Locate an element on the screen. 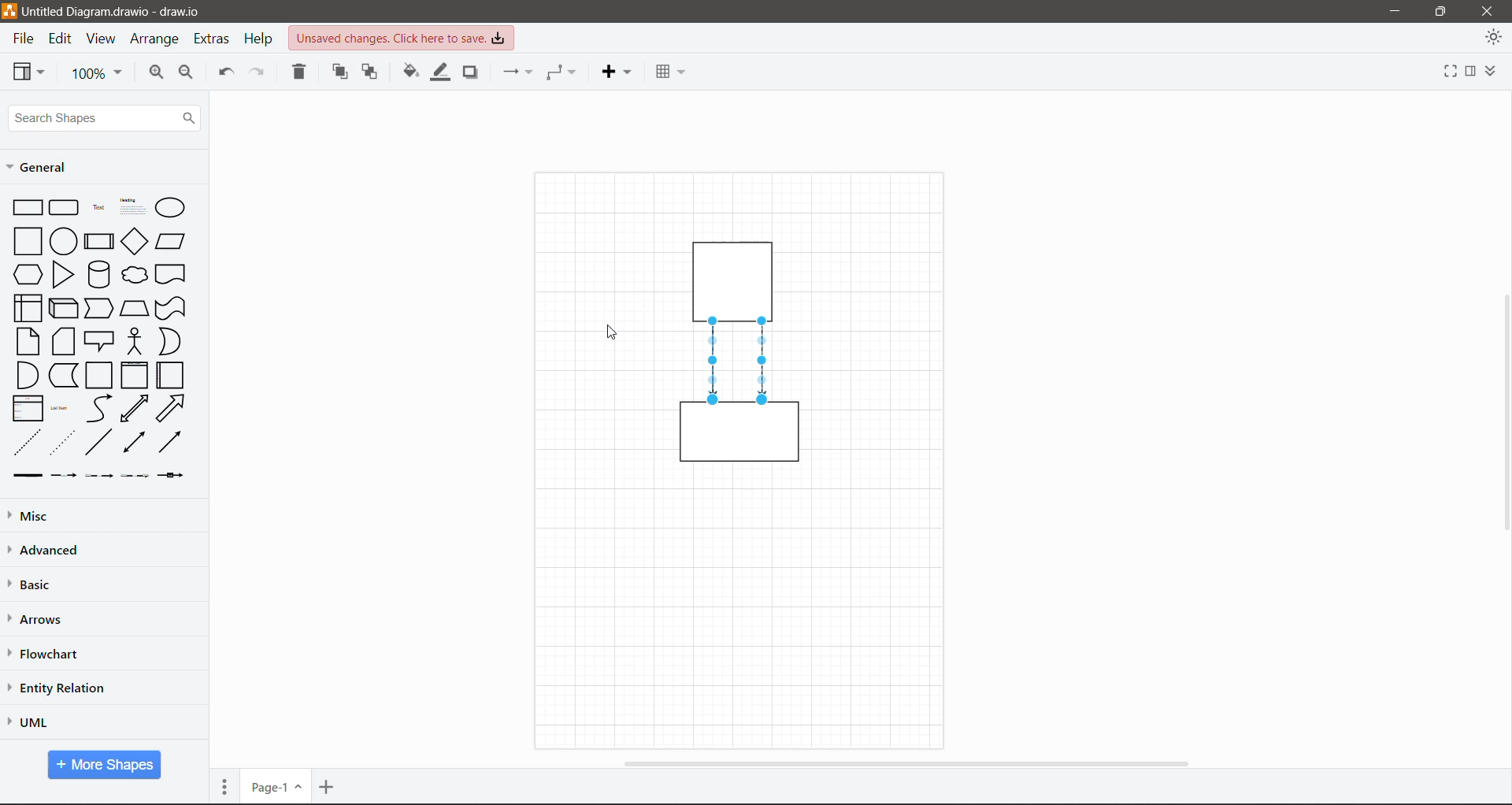 This screenshot has width=1512, height=805. Insert is located at coordinates (616, 72).